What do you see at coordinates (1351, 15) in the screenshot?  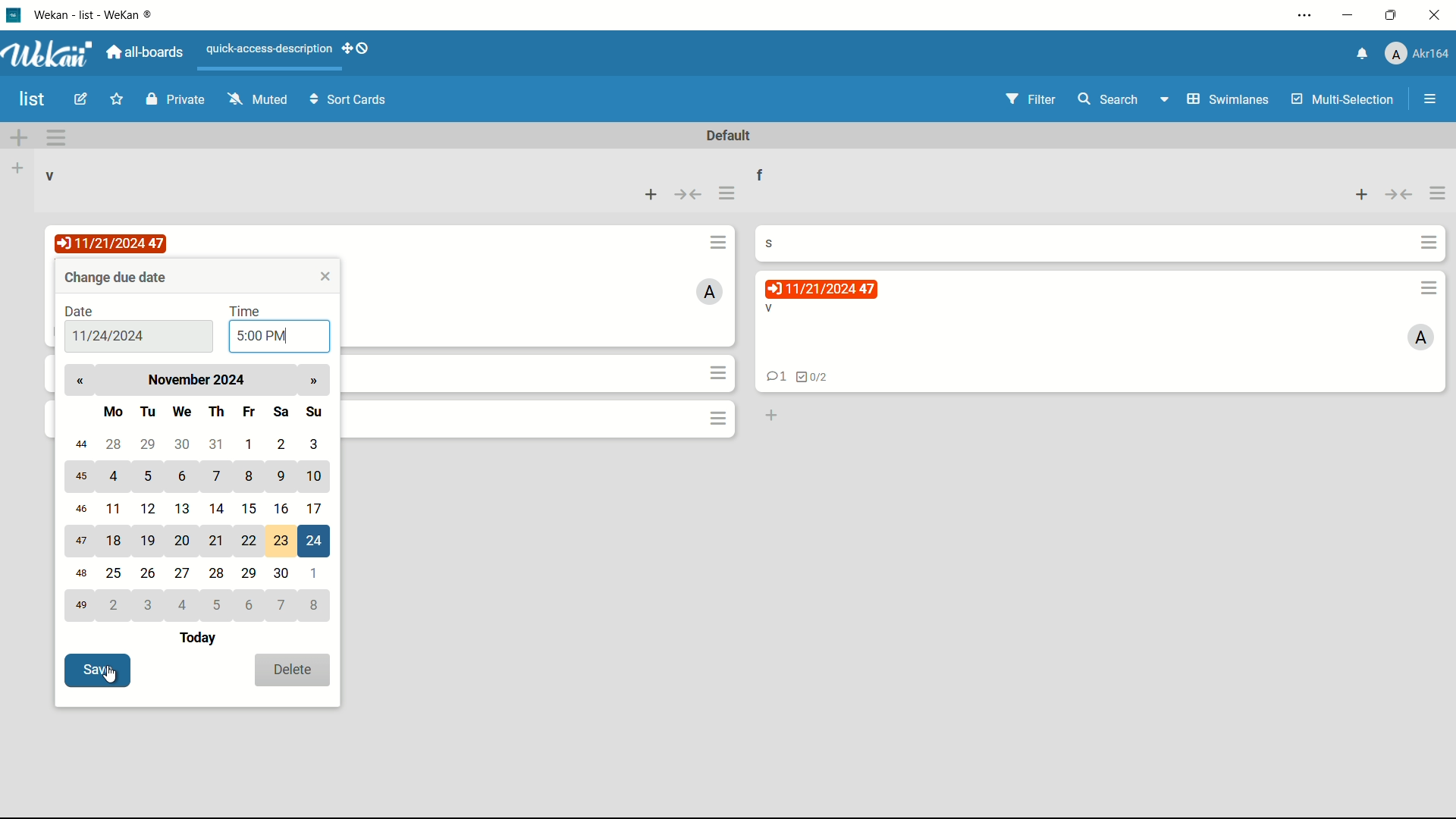 I see `minimize` at bounding box center [1351, 15].